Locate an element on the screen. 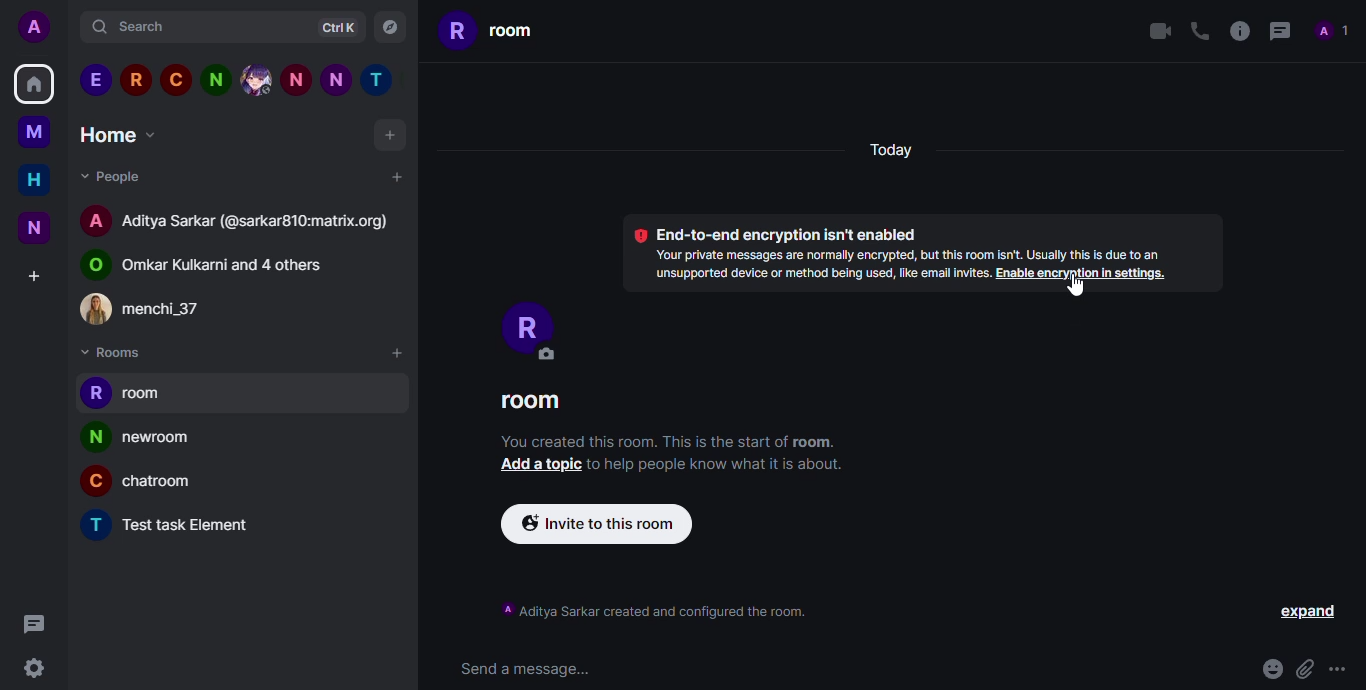 The height and width of the screenshot is (690, 1366). room is located at coordinates (165, 486).